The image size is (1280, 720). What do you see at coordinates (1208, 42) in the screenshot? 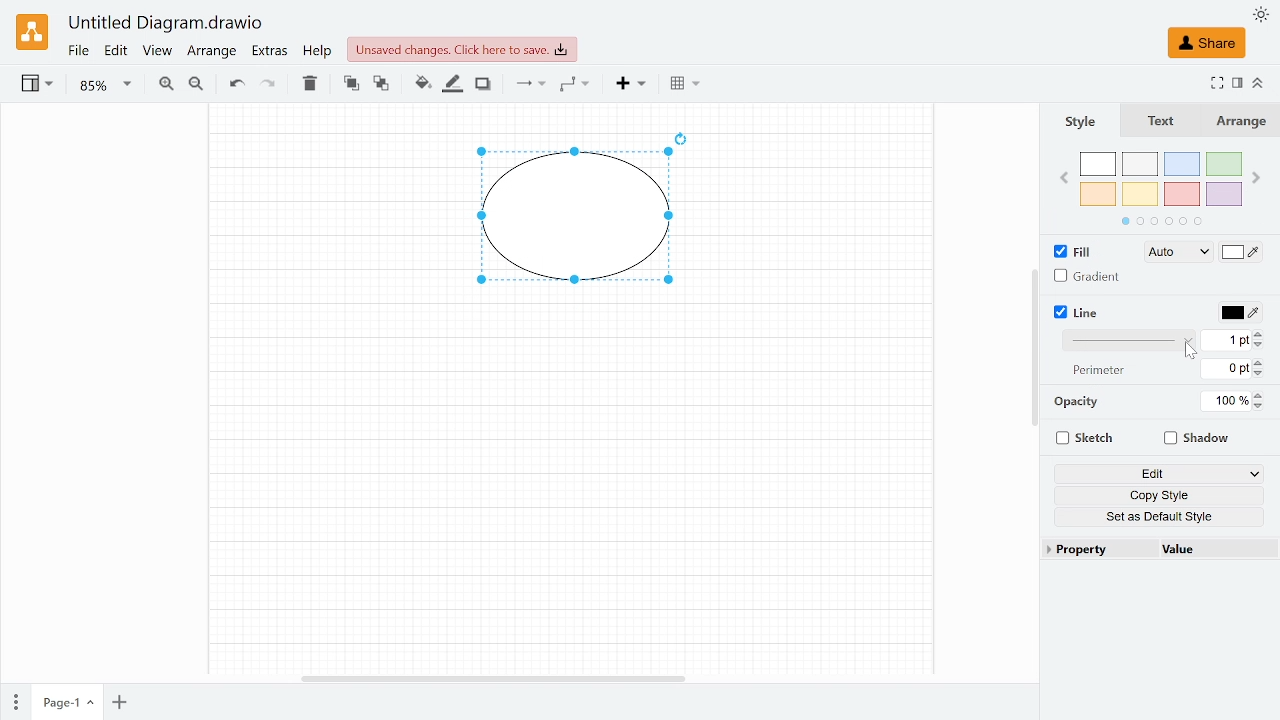
I see `Share` at bounding box center [1208, 42].